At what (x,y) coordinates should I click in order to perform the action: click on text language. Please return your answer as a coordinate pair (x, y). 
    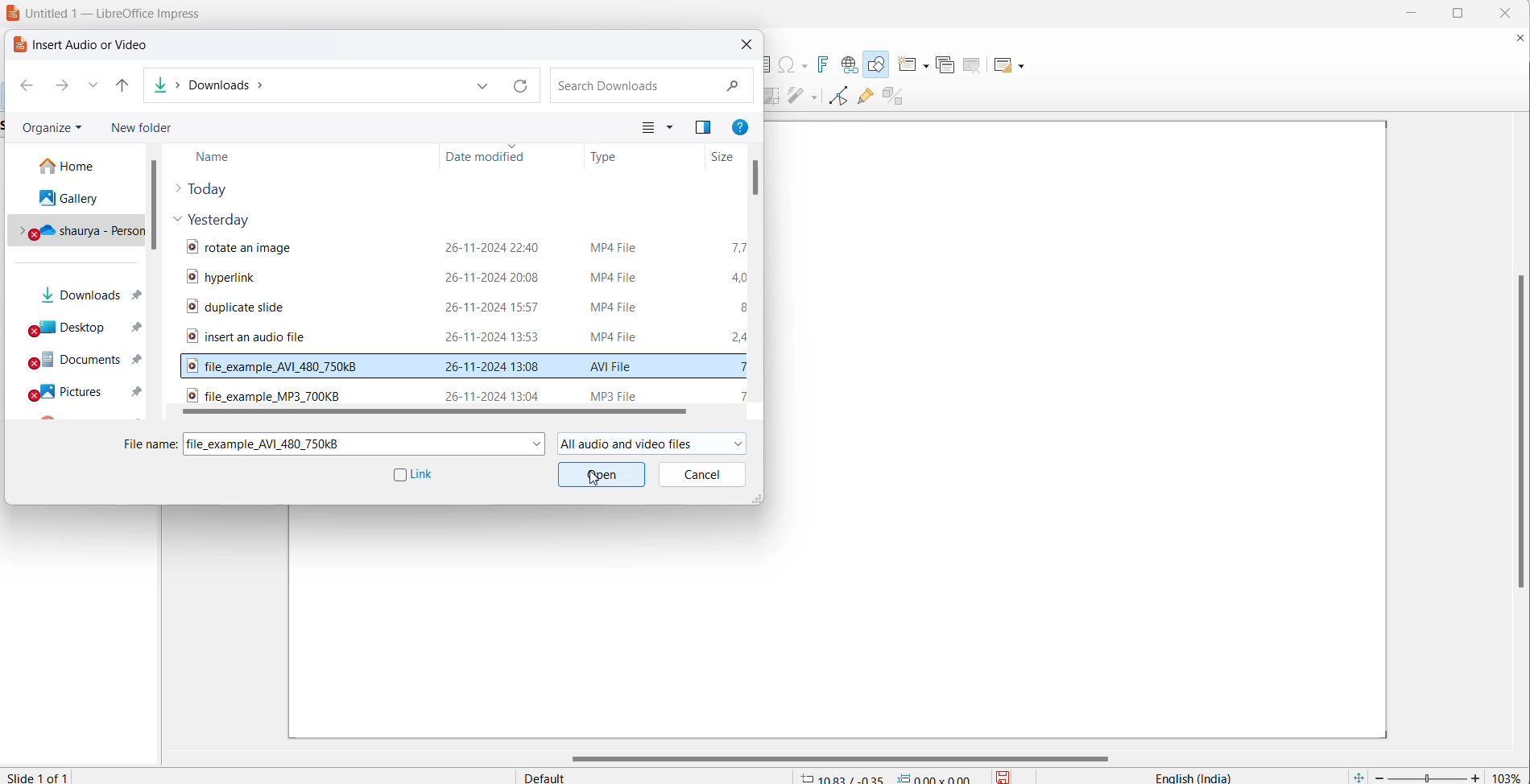
    Looking at the image, I should click on (1181, 776).